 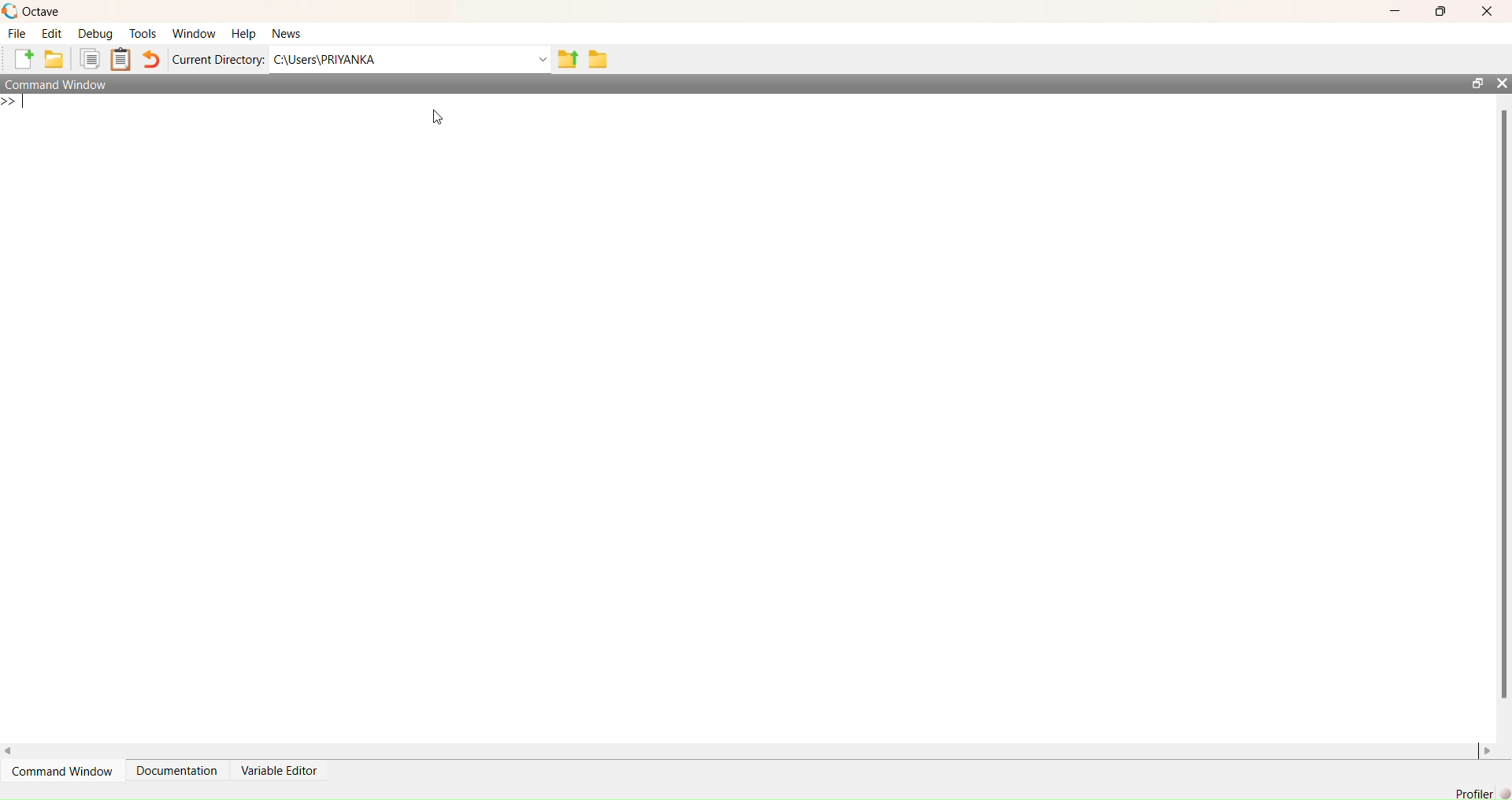 What do you see at coordinates (1488, 753) in the screenshot?
I see `scroll right` at bounding box center [1488, 753].